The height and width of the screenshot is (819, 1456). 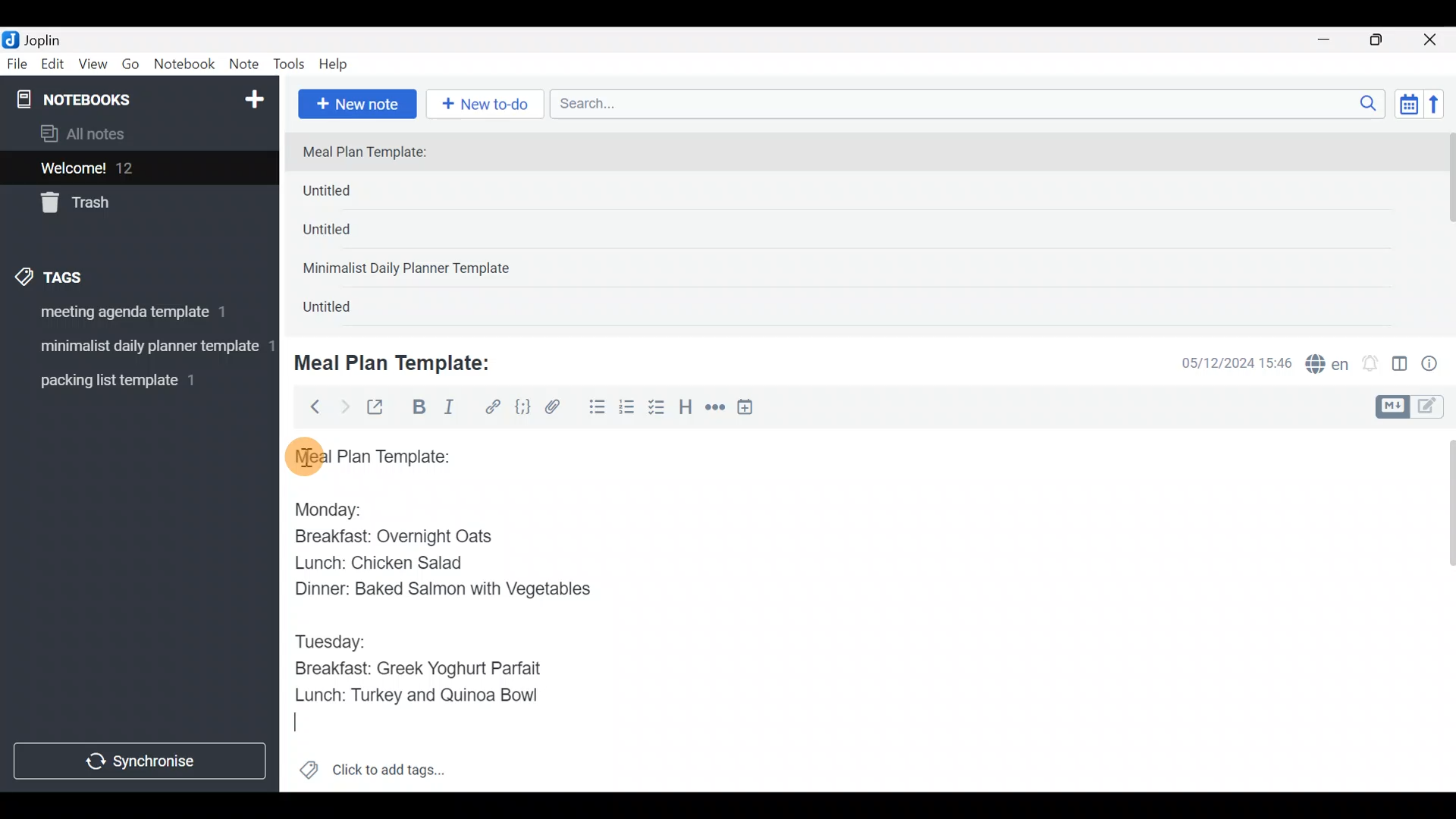 What do you see at coordinates (557, 409) in the screenshot?
I see `Attach file` at bounding box center [557, 409].